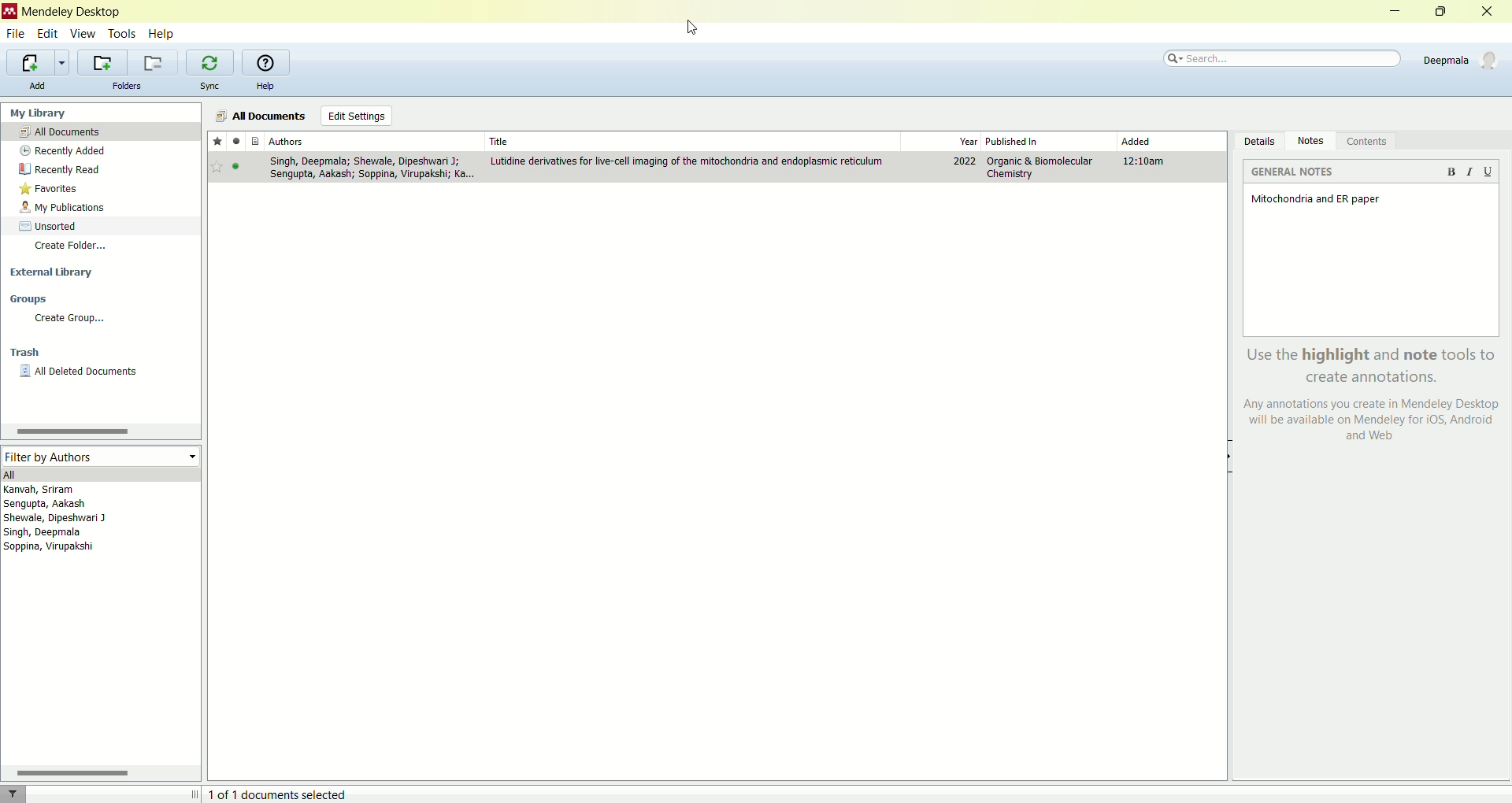 The height and width of the screenshot is (803, 1512). I want to click on scroll bar, so click(98, 772).